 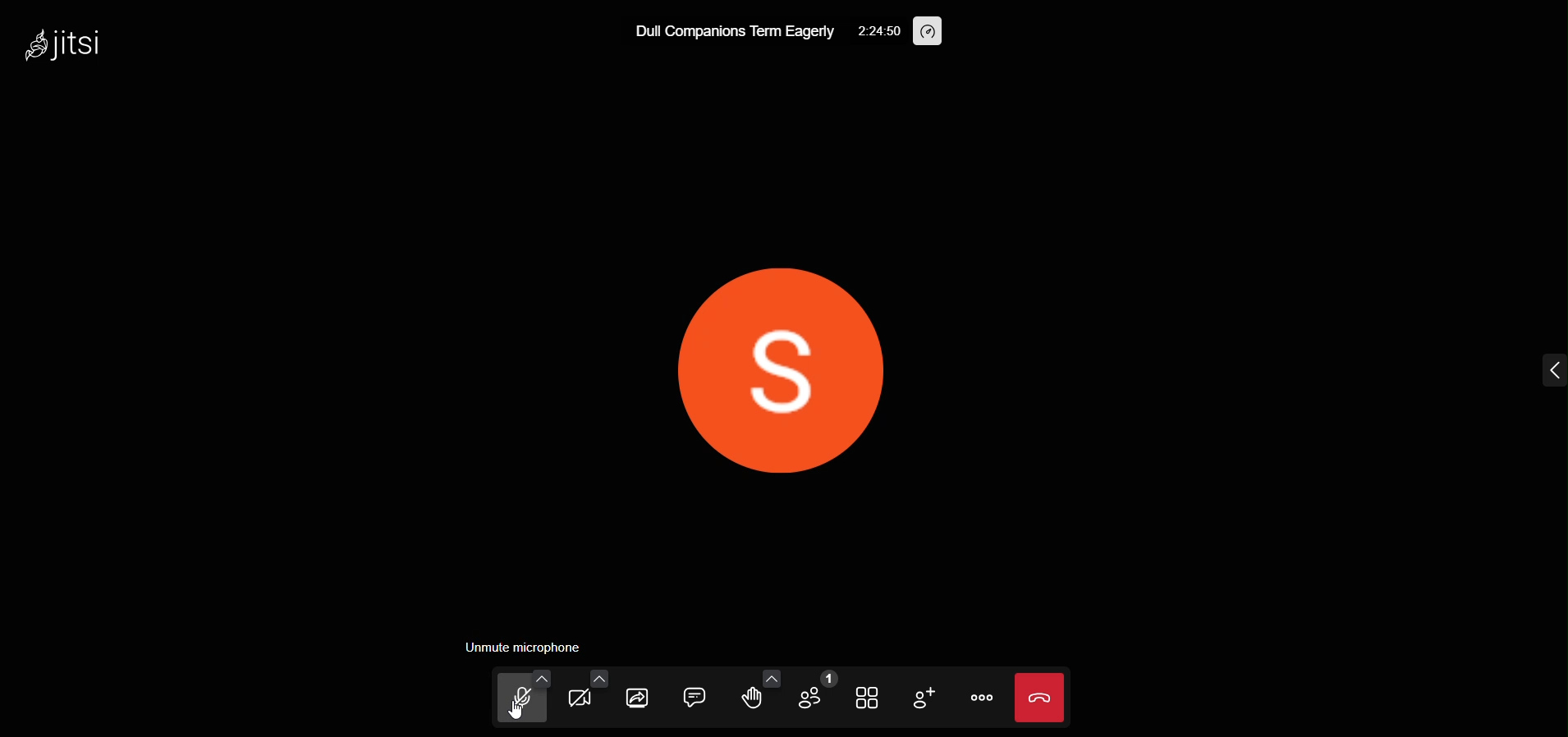 What do you see at coordinates (778, 368) in the screenshot?
I see `display picture` at bounding box center [778, 368].